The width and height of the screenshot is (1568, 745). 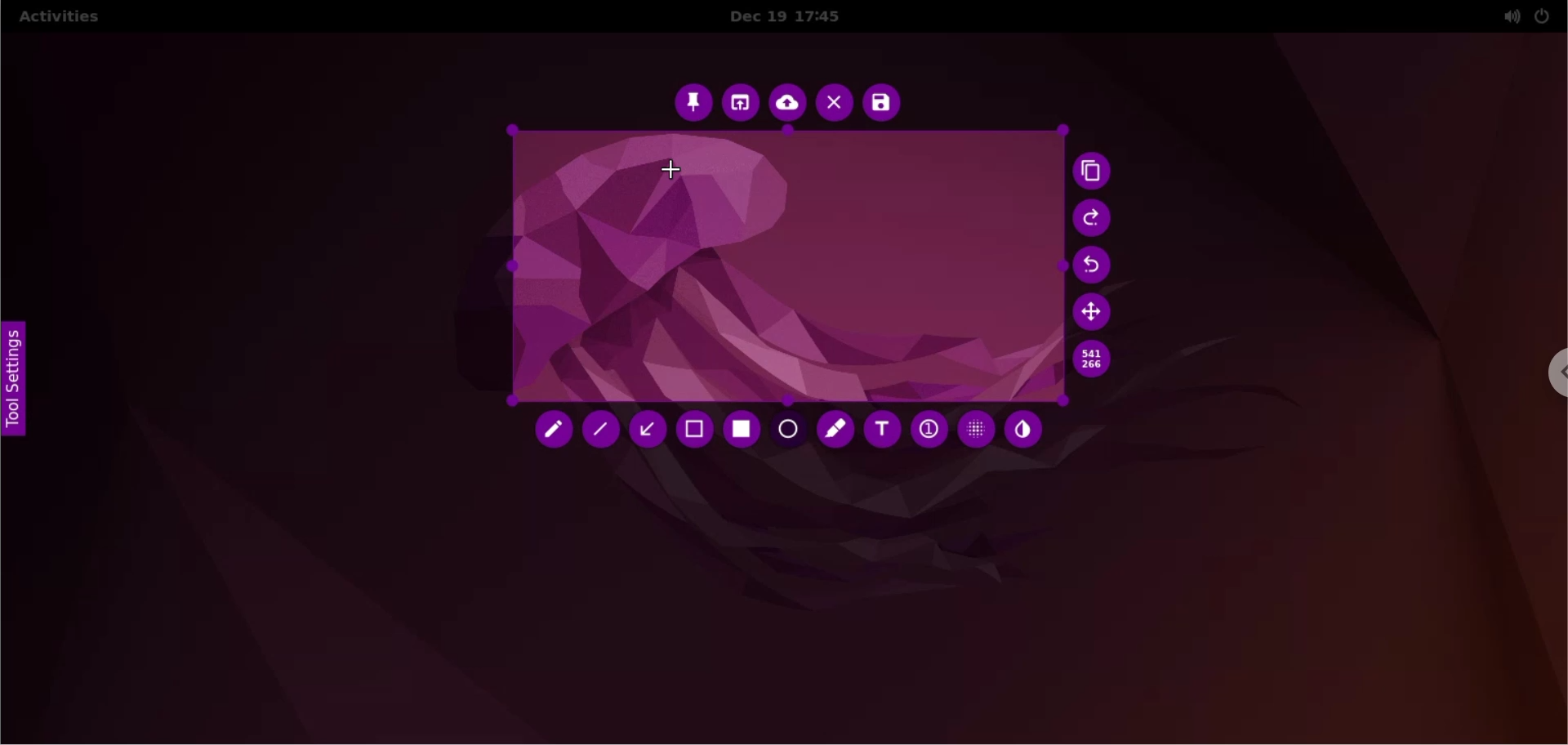 What do you see at coordinates (1548, 377) in the screenshot?
I see `chrome options` at bounding box center [1548, 377].